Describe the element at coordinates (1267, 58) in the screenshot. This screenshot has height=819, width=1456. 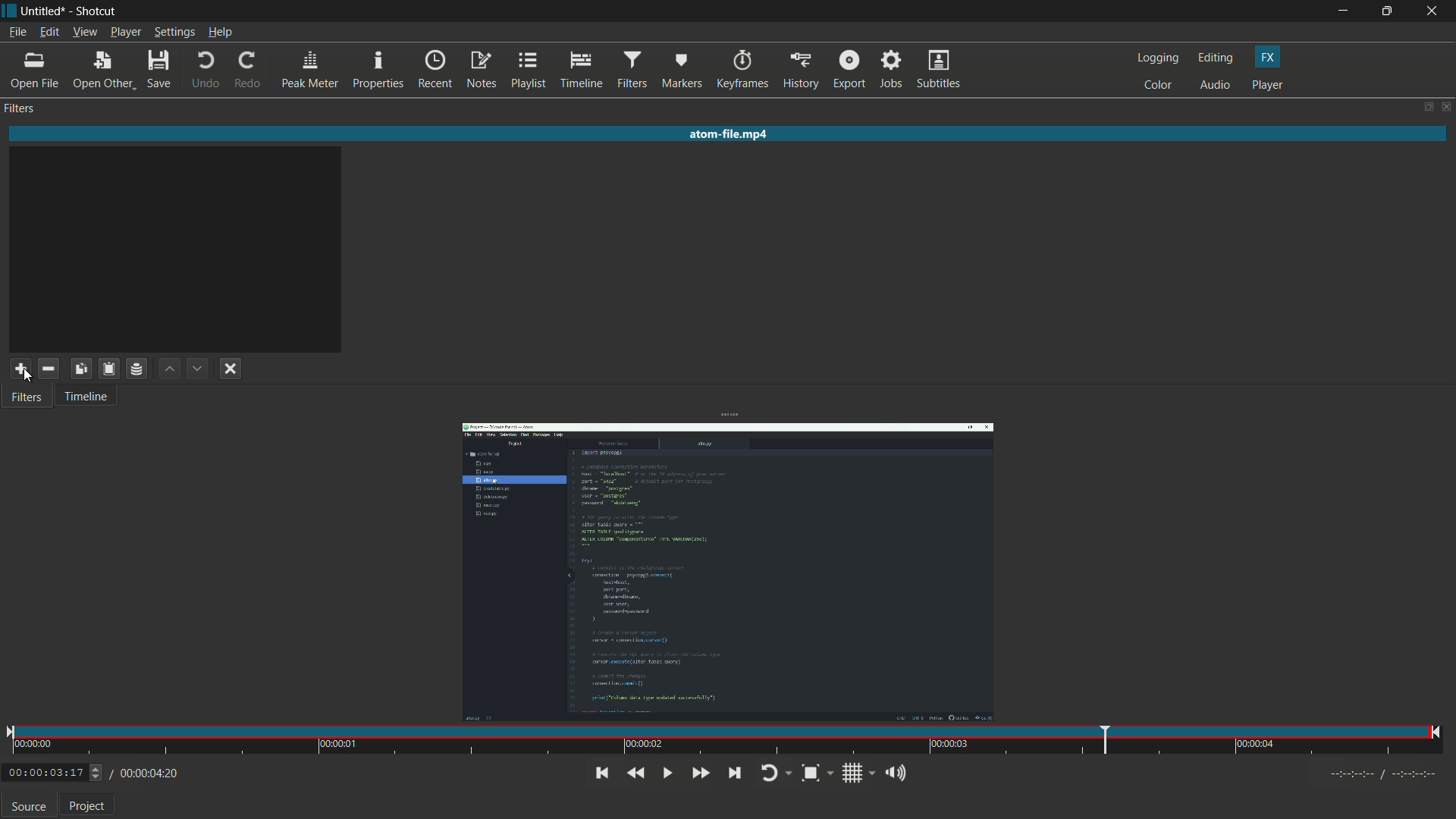
I see `fx` at that location.